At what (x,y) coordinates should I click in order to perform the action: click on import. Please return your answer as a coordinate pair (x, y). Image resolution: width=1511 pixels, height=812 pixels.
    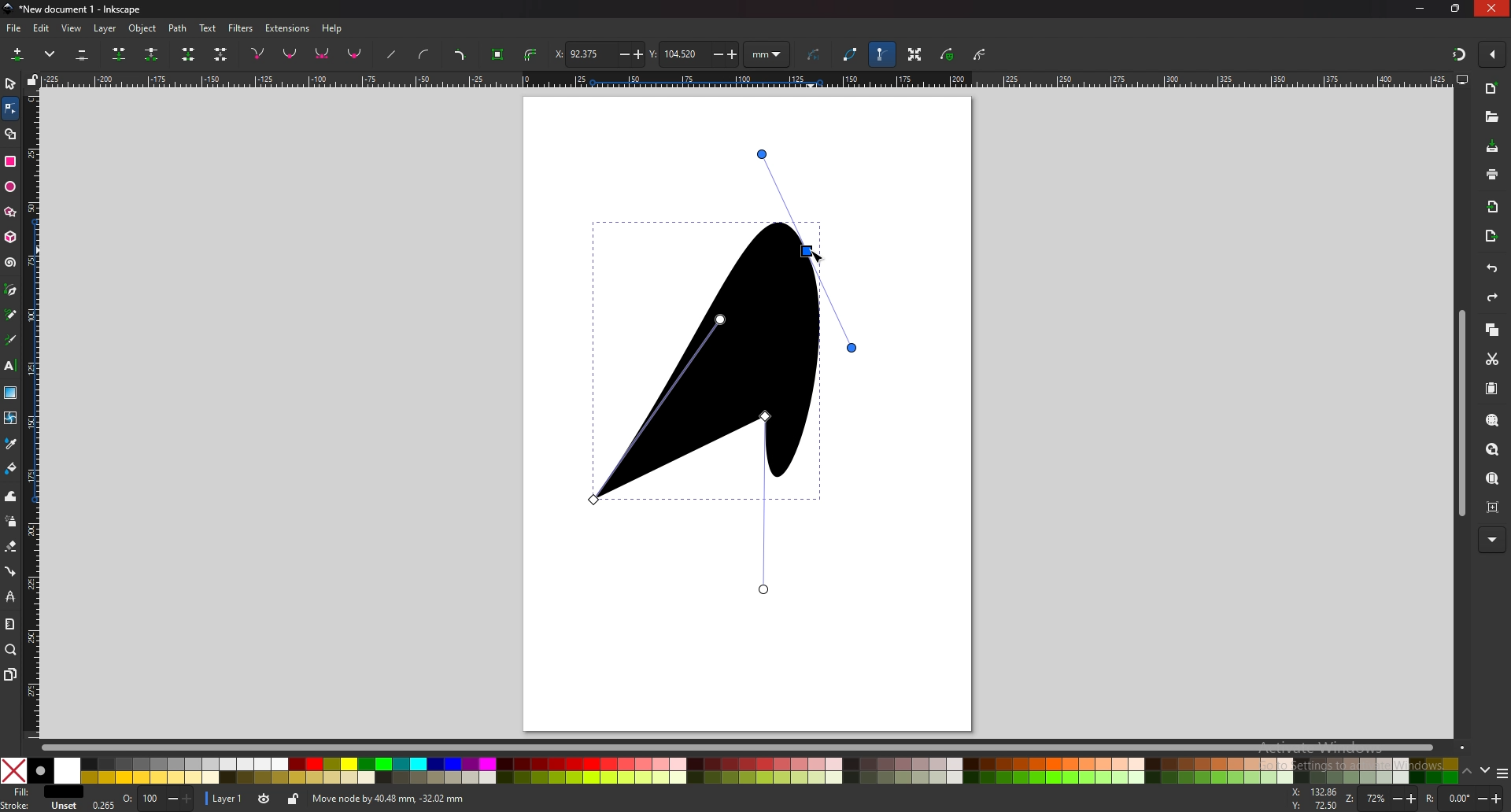
    Looking at the image, I should click on (1494, 209).